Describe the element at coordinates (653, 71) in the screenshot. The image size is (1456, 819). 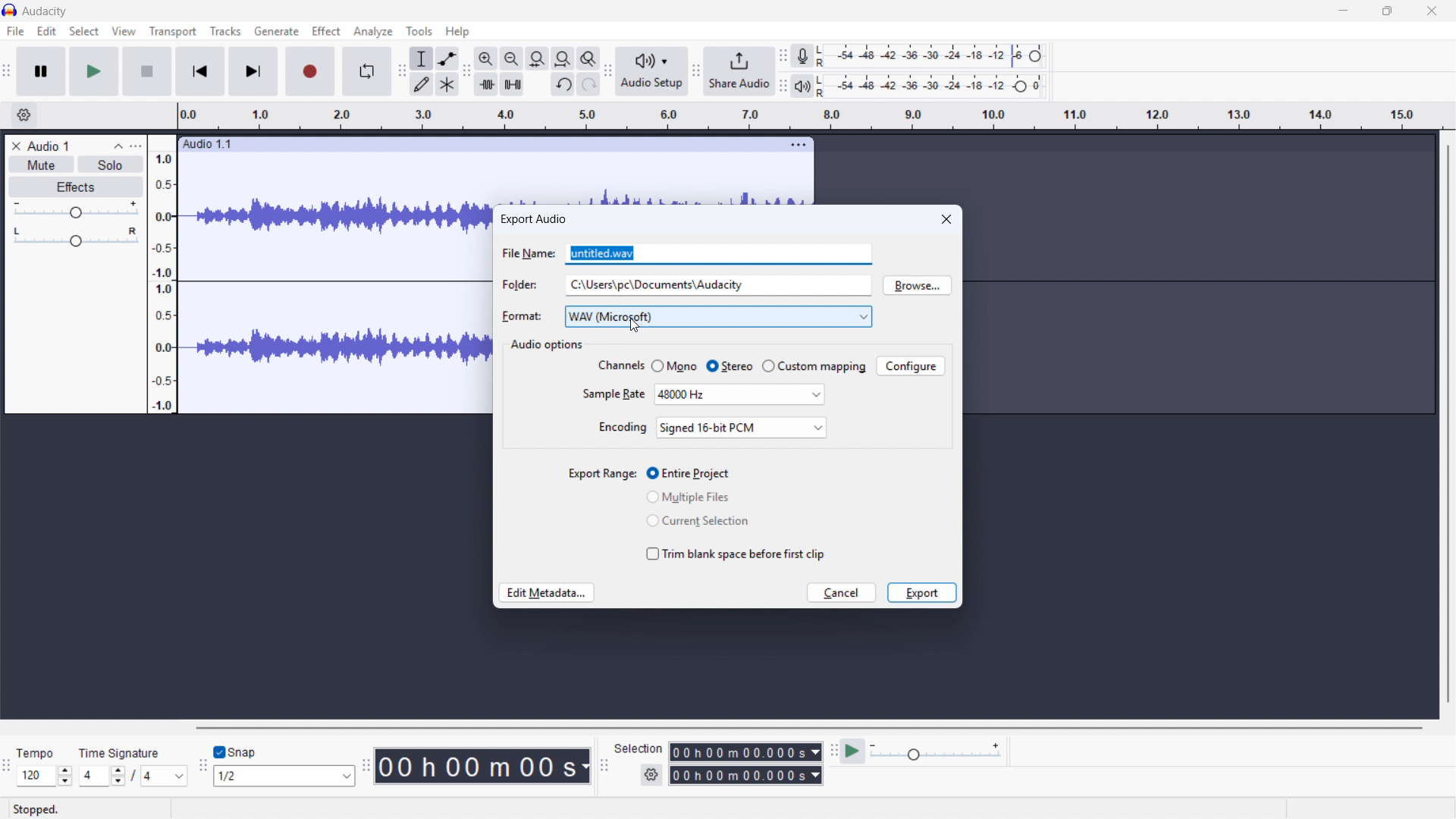
I see `Audio setup ` at that location.